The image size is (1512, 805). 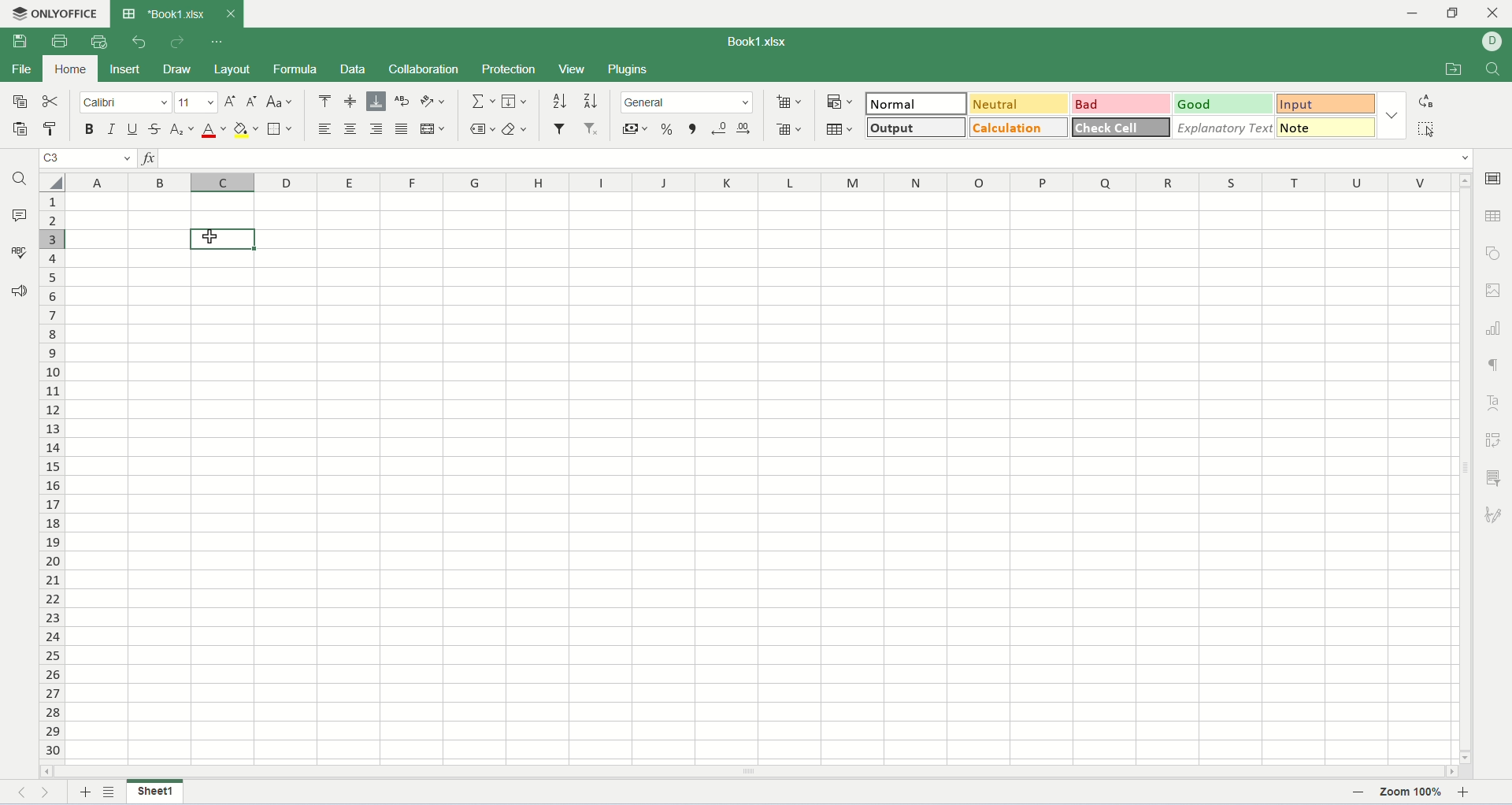 What do you see at coordinates (124, 69) in the screenshot?
I see `insert` at bounding box center [124, 69].